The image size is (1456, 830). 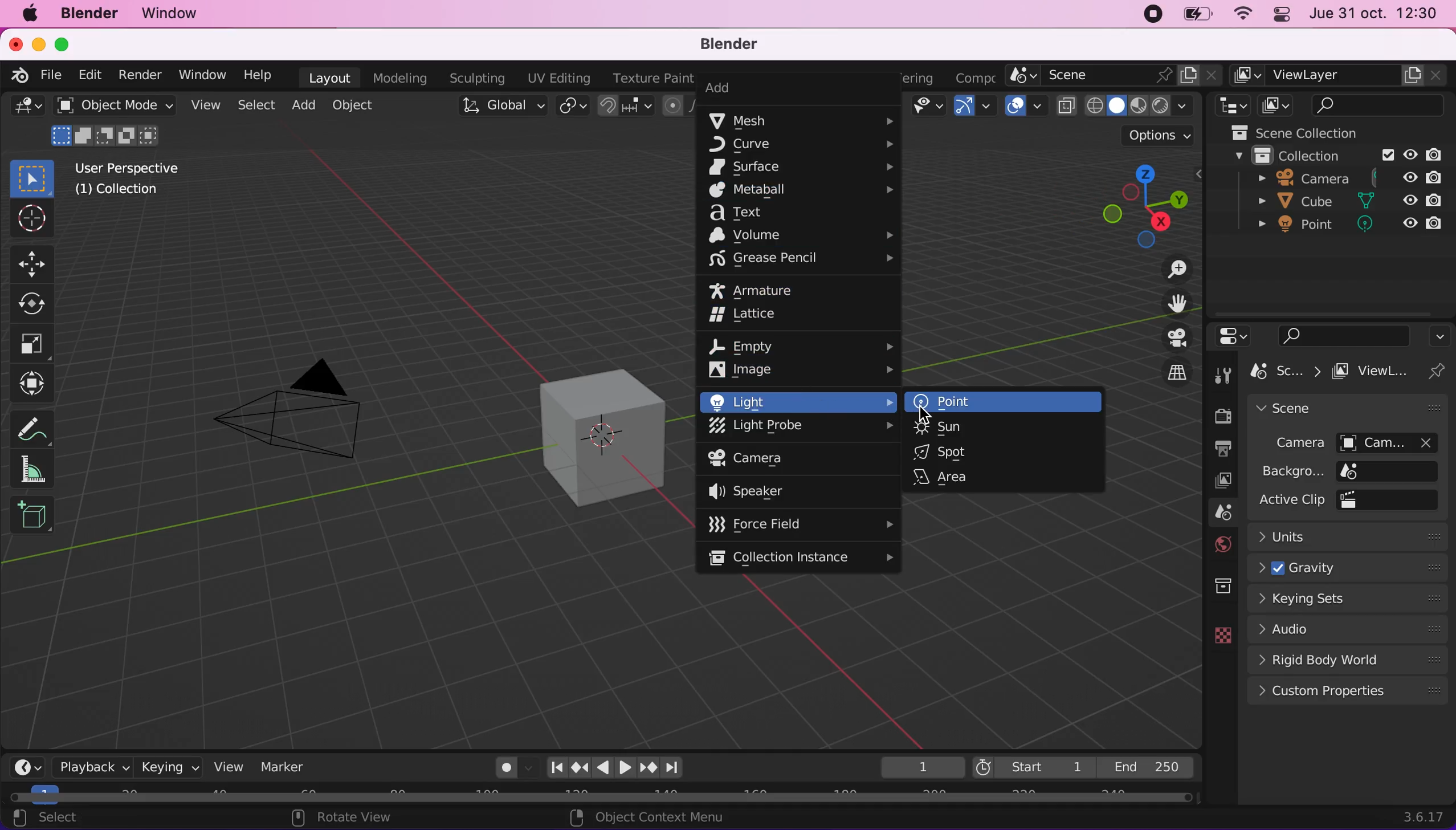 I want to click on marker, so click(x=288, y=767).